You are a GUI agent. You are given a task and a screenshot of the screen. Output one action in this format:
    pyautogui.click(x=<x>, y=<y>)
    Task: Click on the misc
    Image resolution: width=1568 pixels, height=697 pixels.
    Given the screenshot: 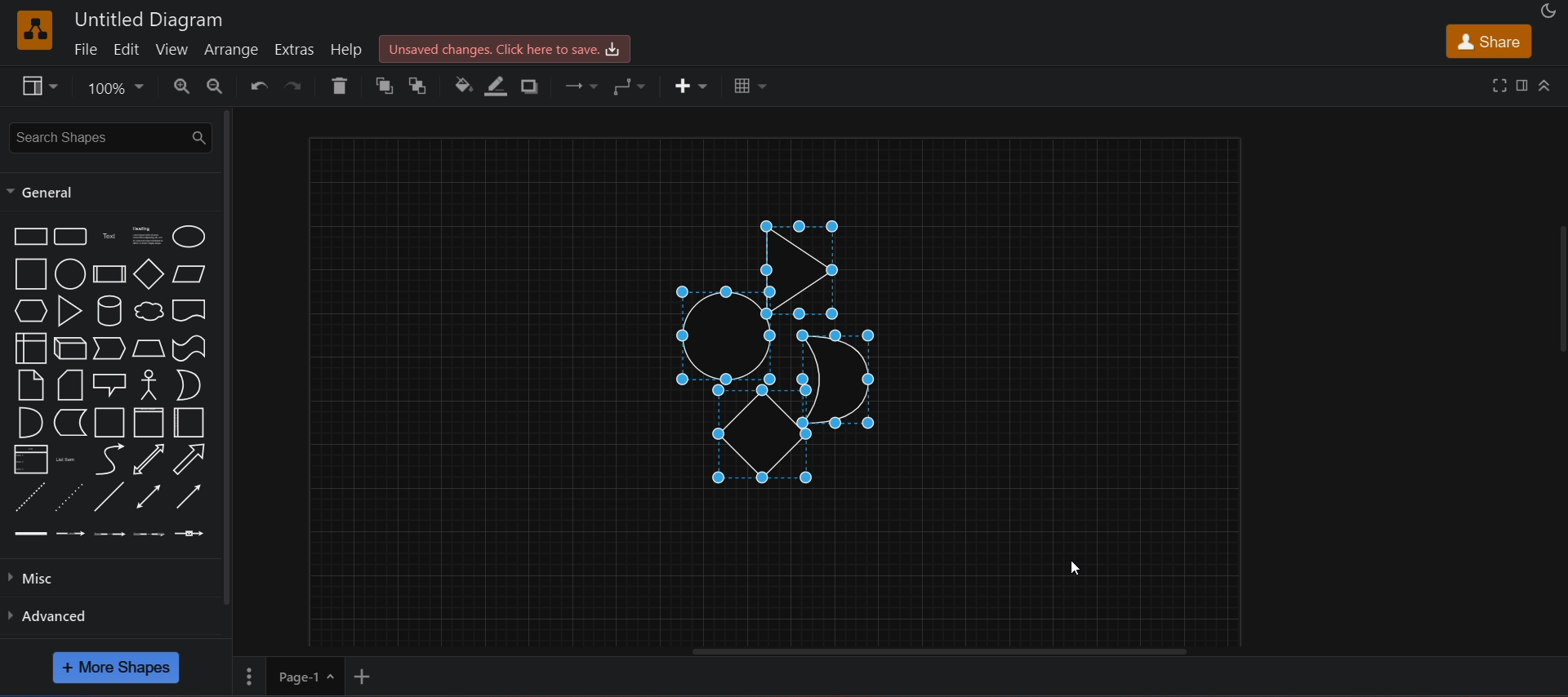 What is the action you would take?
    pyautogui.click(x=37, y=580)
    